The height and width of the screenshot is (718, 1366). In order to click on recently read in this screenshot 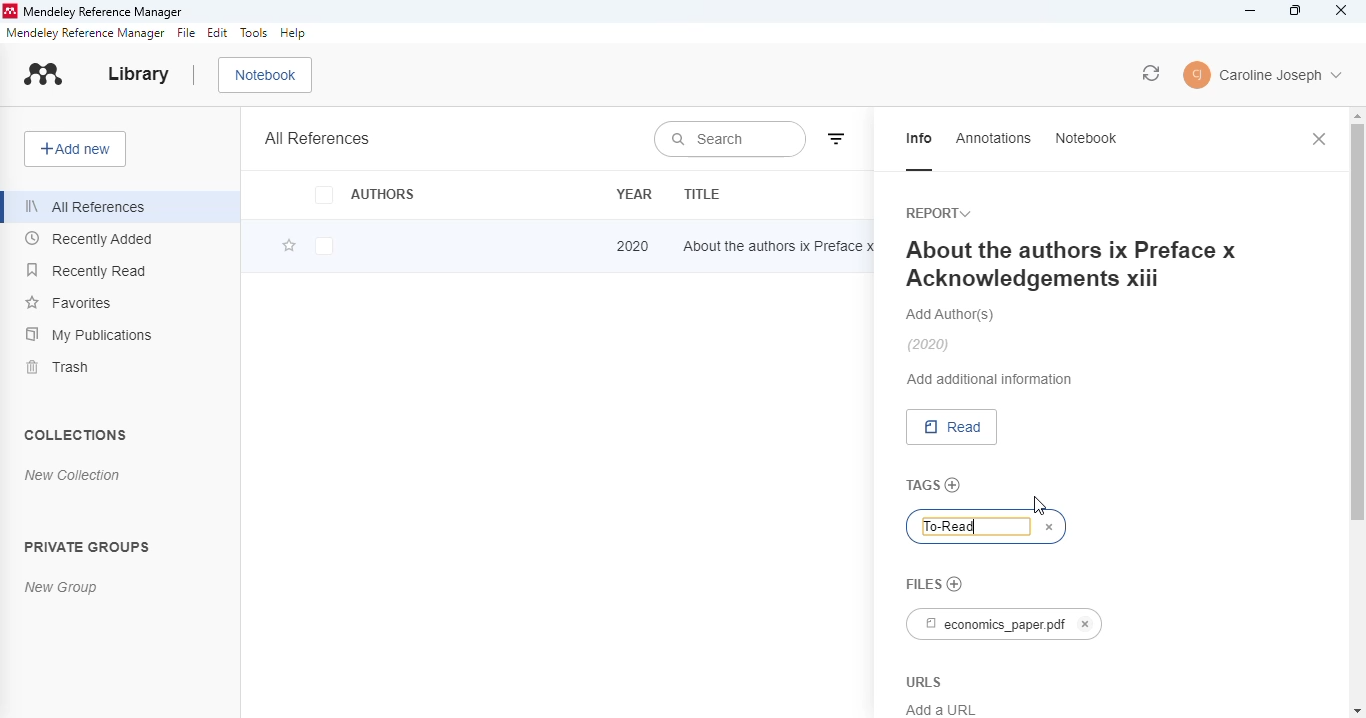, I will do `click(85, 270)`.